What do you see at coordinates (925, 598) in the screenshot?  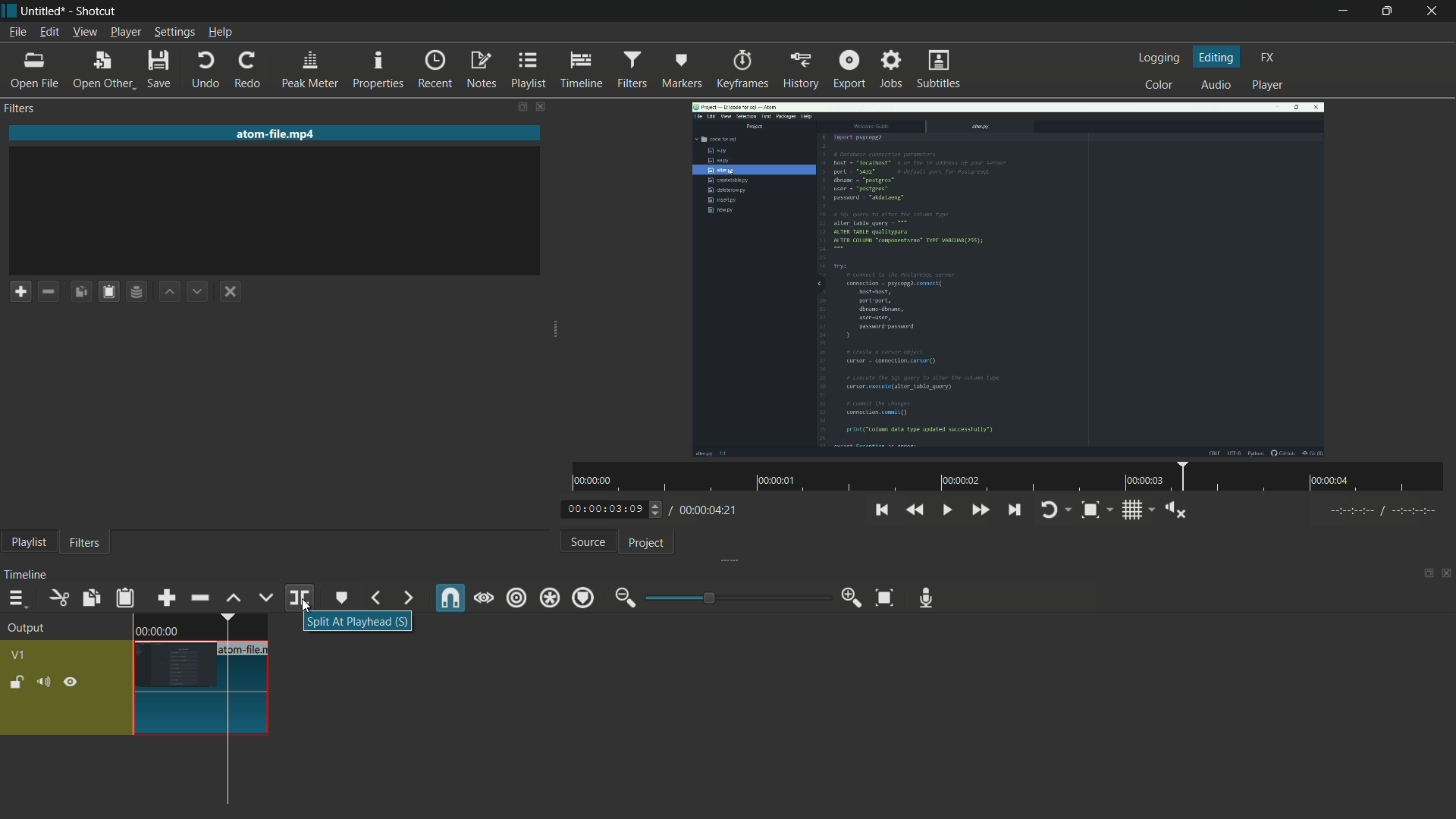 I see `record audio` at bounding box center [925, 598].